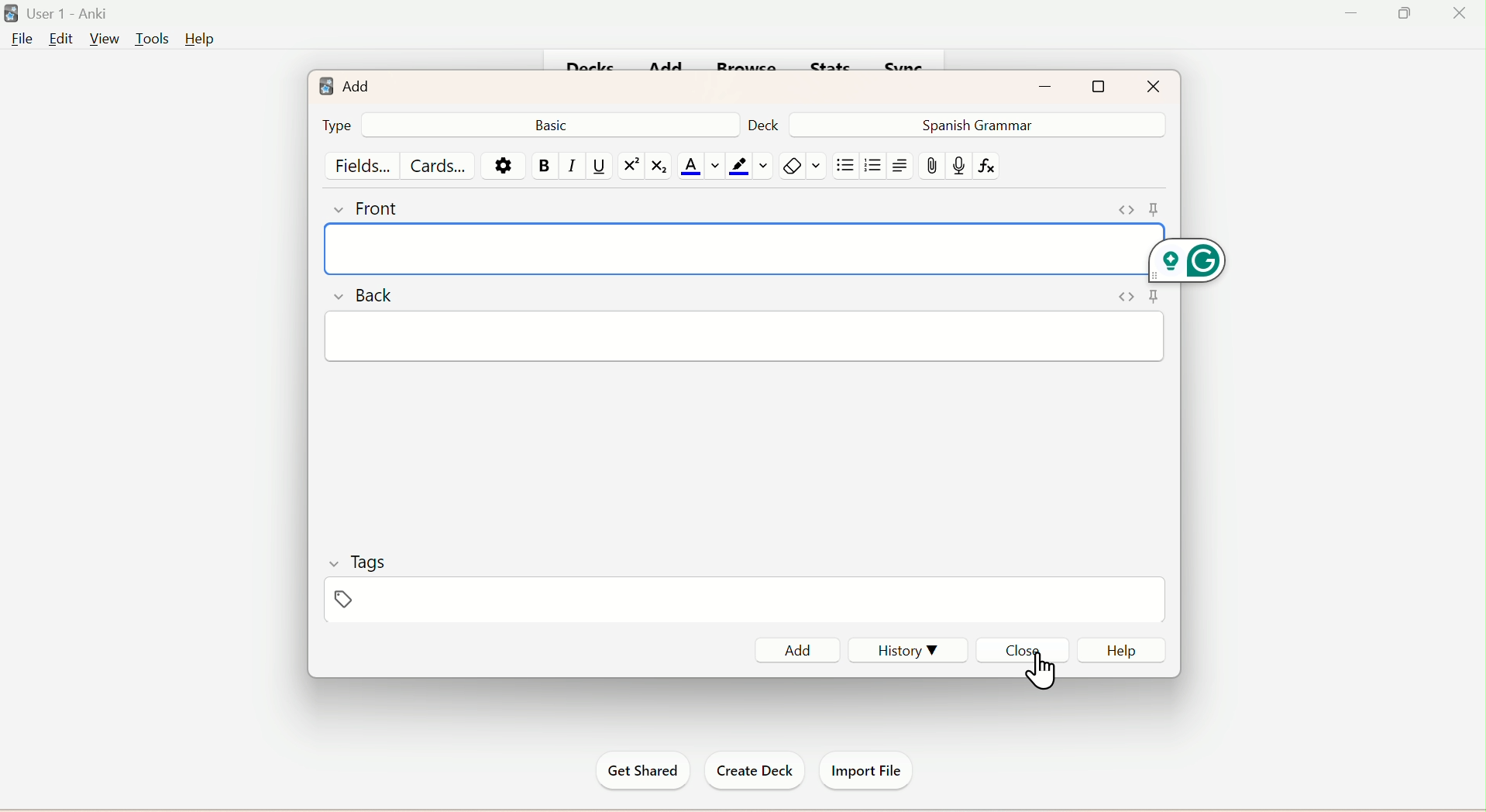 Image resolution: width=1486 pixels, height=812 pixels. What do you see at coordinates (60, 40) in the screenshot?
I see `Edit` at bounding box center [60, 40].